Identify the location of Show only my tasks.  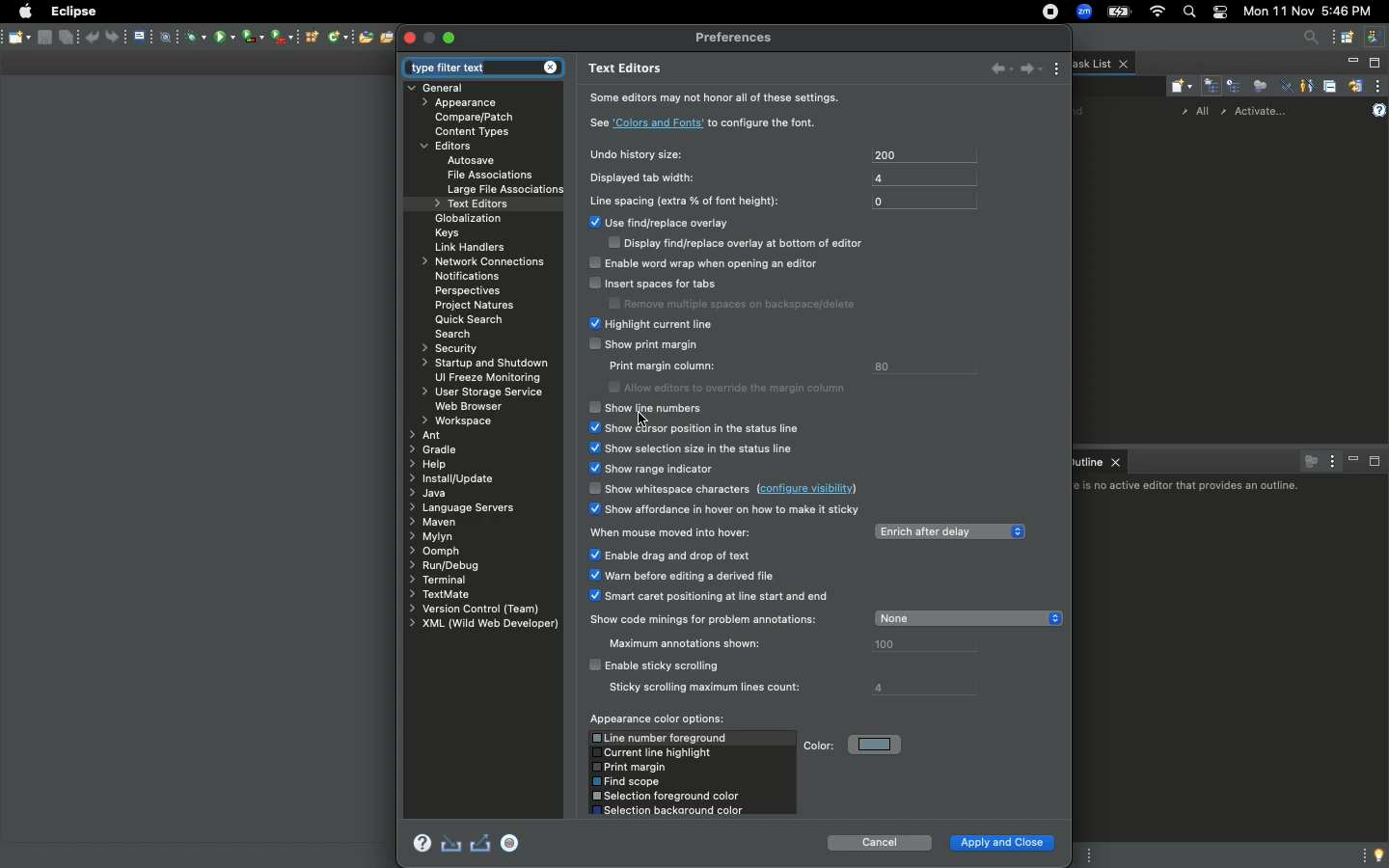
(1307, 86).